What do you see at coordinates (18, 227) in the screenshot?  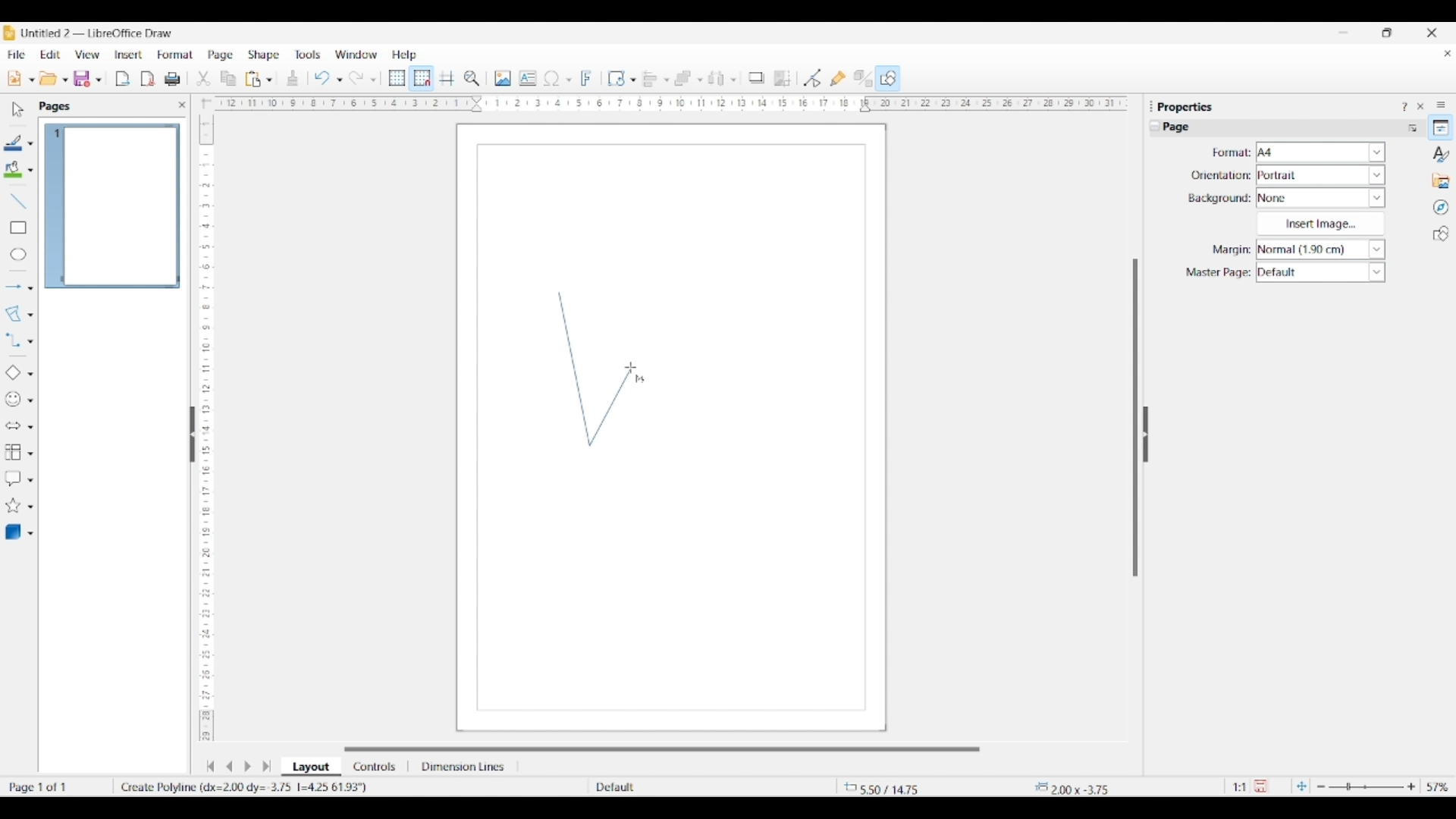 I see `Rectangle` at bounding box center [18, 227].